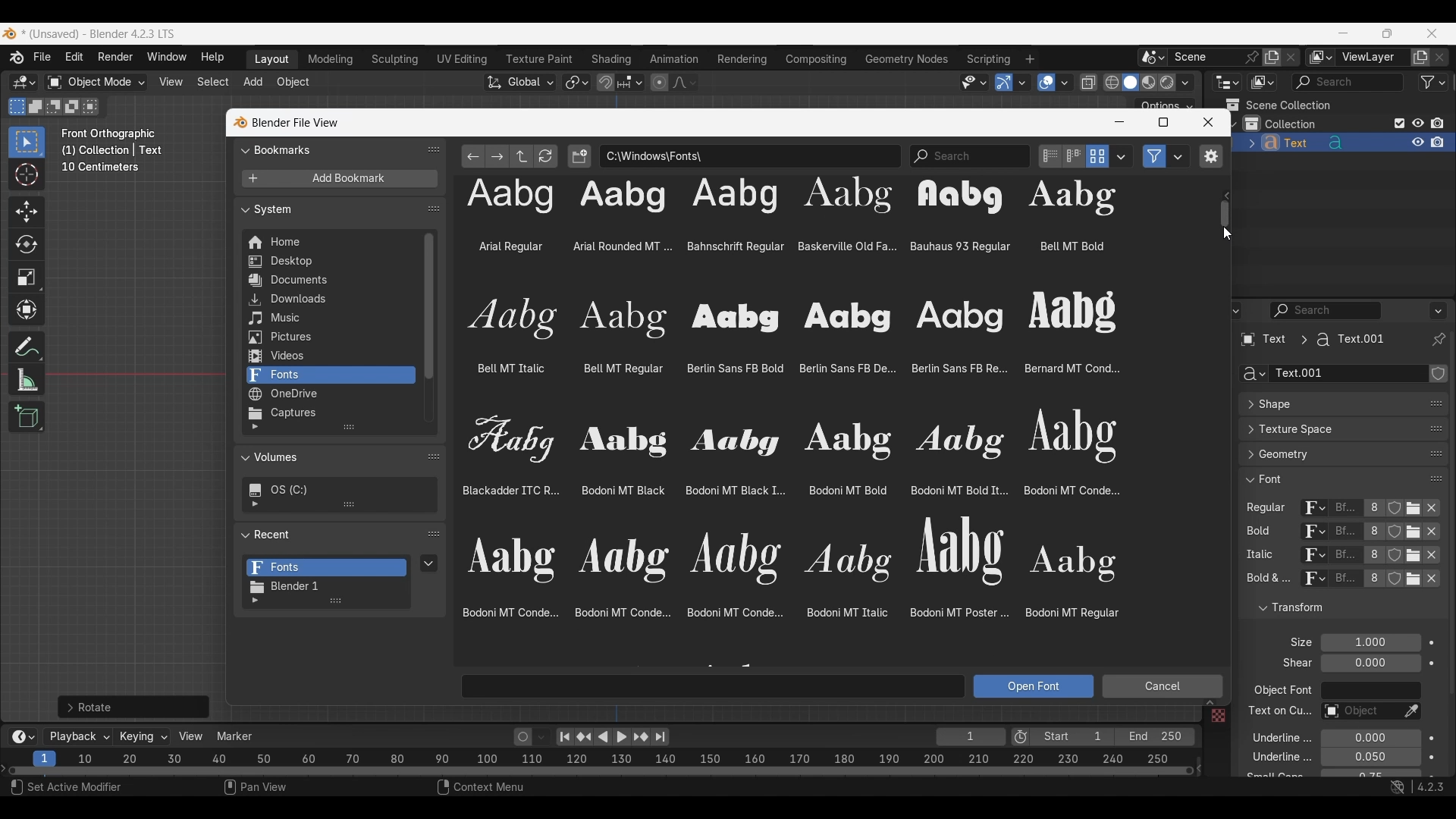 The width and height of the screenshot is (1456, 819). What do you see at coordinates (255, 427) in the screenshot?
I see `Show filtering options` at bounding box center [255, 427].